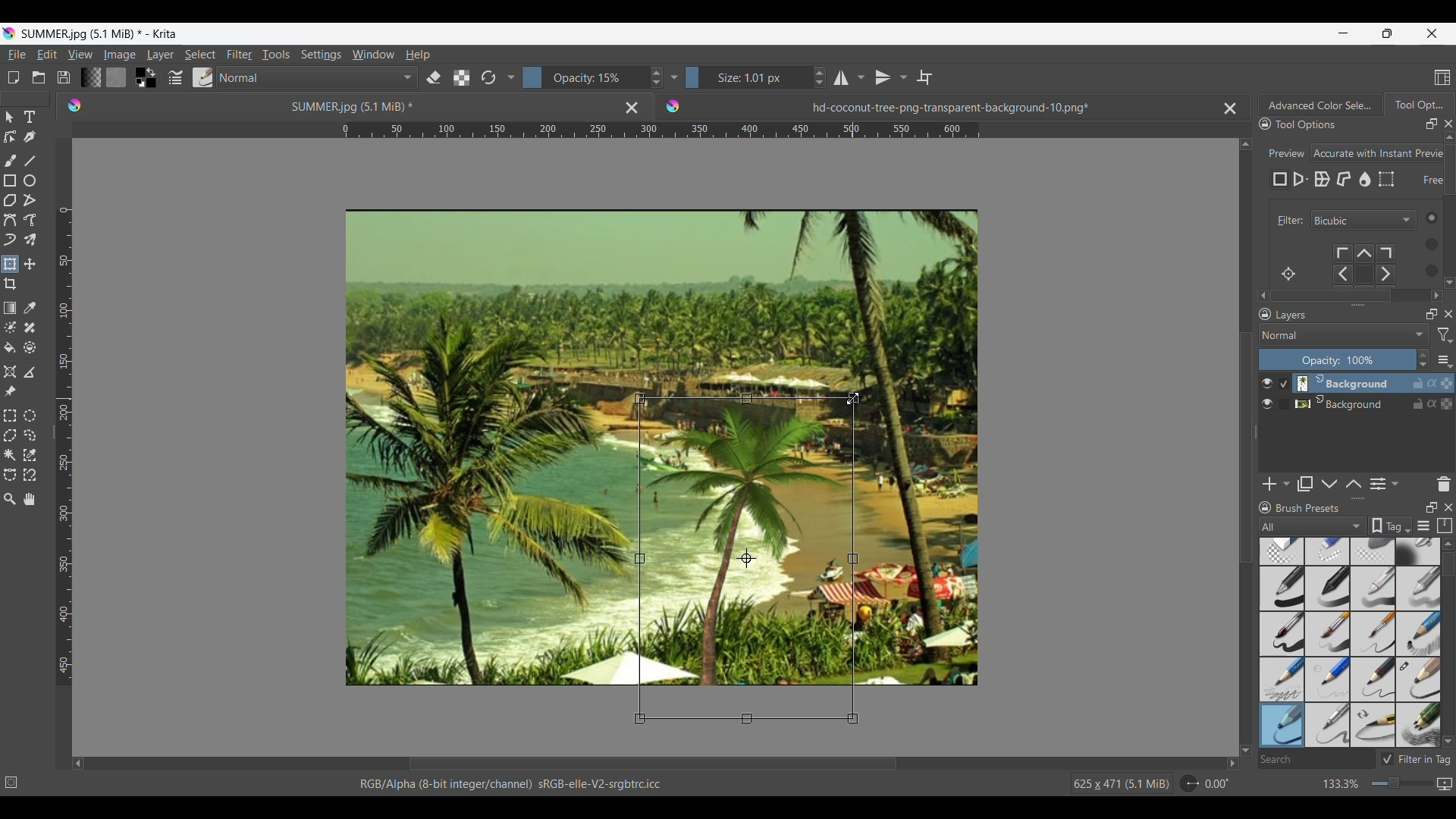 This screenshot has height=819, width=1456. Describe the element at coordinates (1206, 783) in the screenshot. I see `Change angle of canvas` at that location.